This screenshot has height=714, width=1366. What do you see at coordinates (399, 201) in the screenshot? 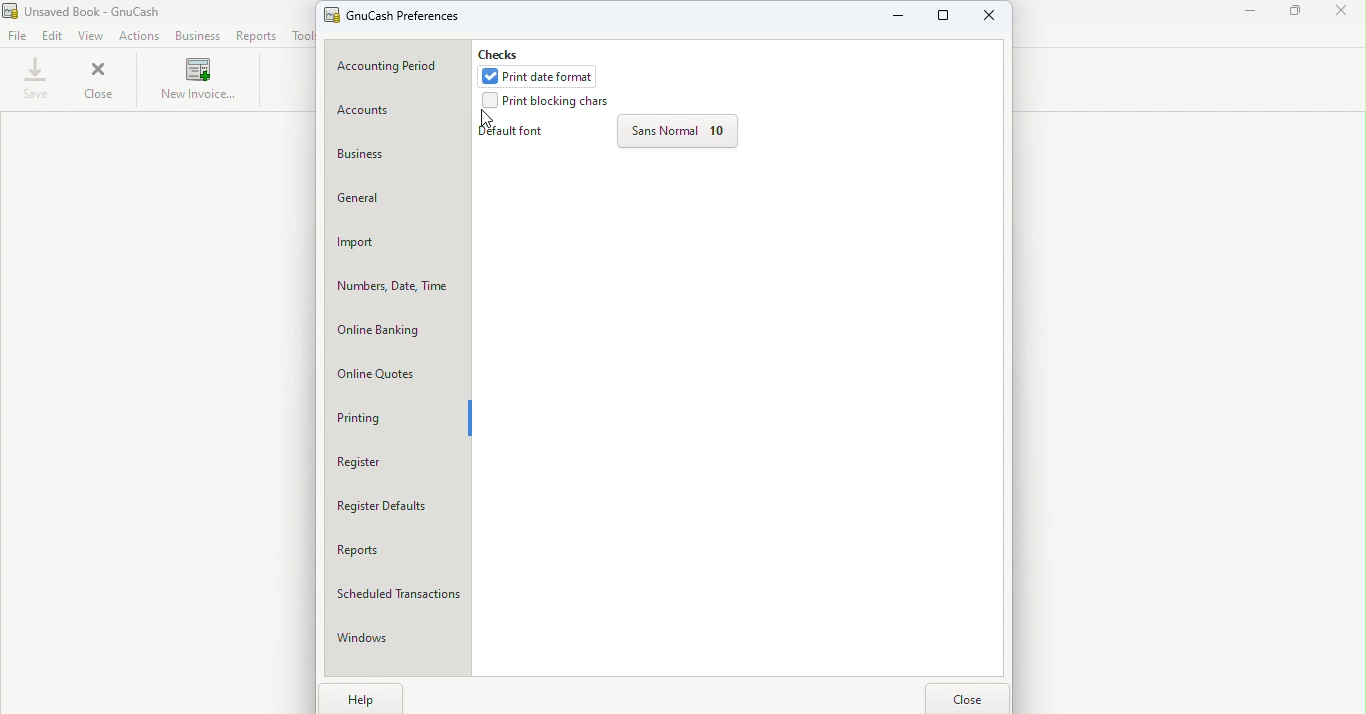
I see `General` at bounding box center [399, 201].